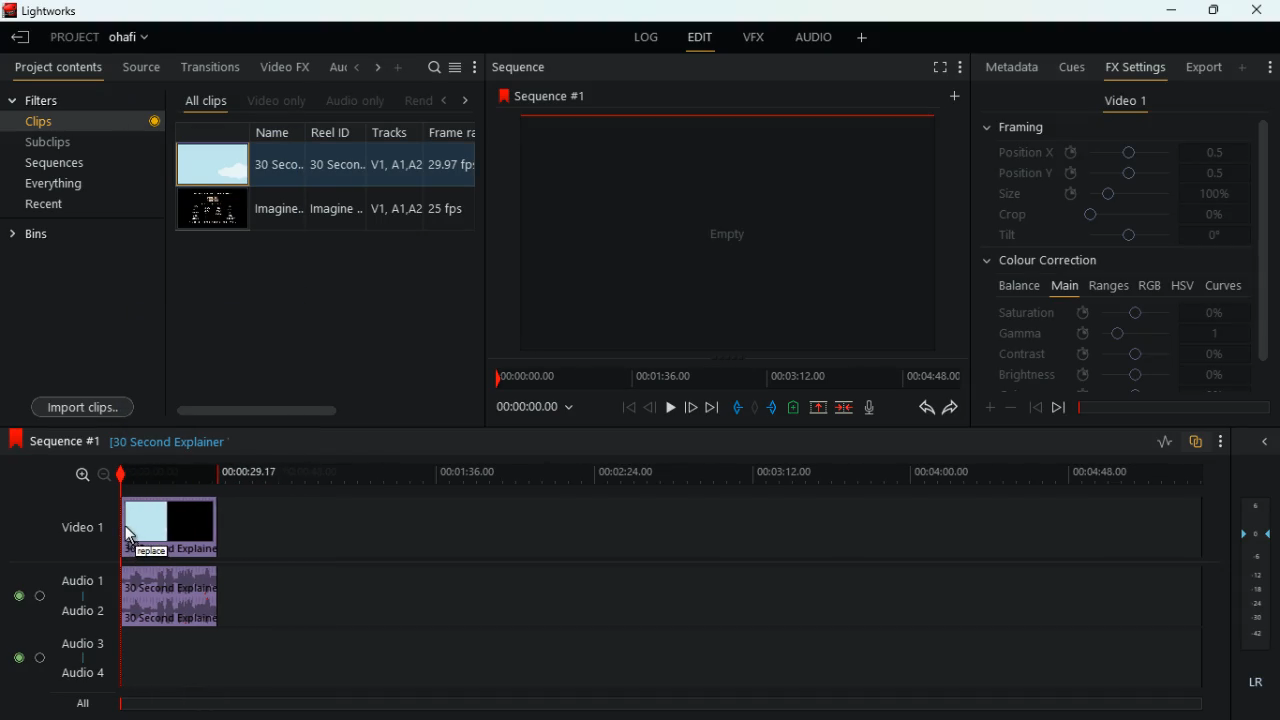 This screenshot has height=720, width=1280. I want to click on fx settings, so click(1135, 69).